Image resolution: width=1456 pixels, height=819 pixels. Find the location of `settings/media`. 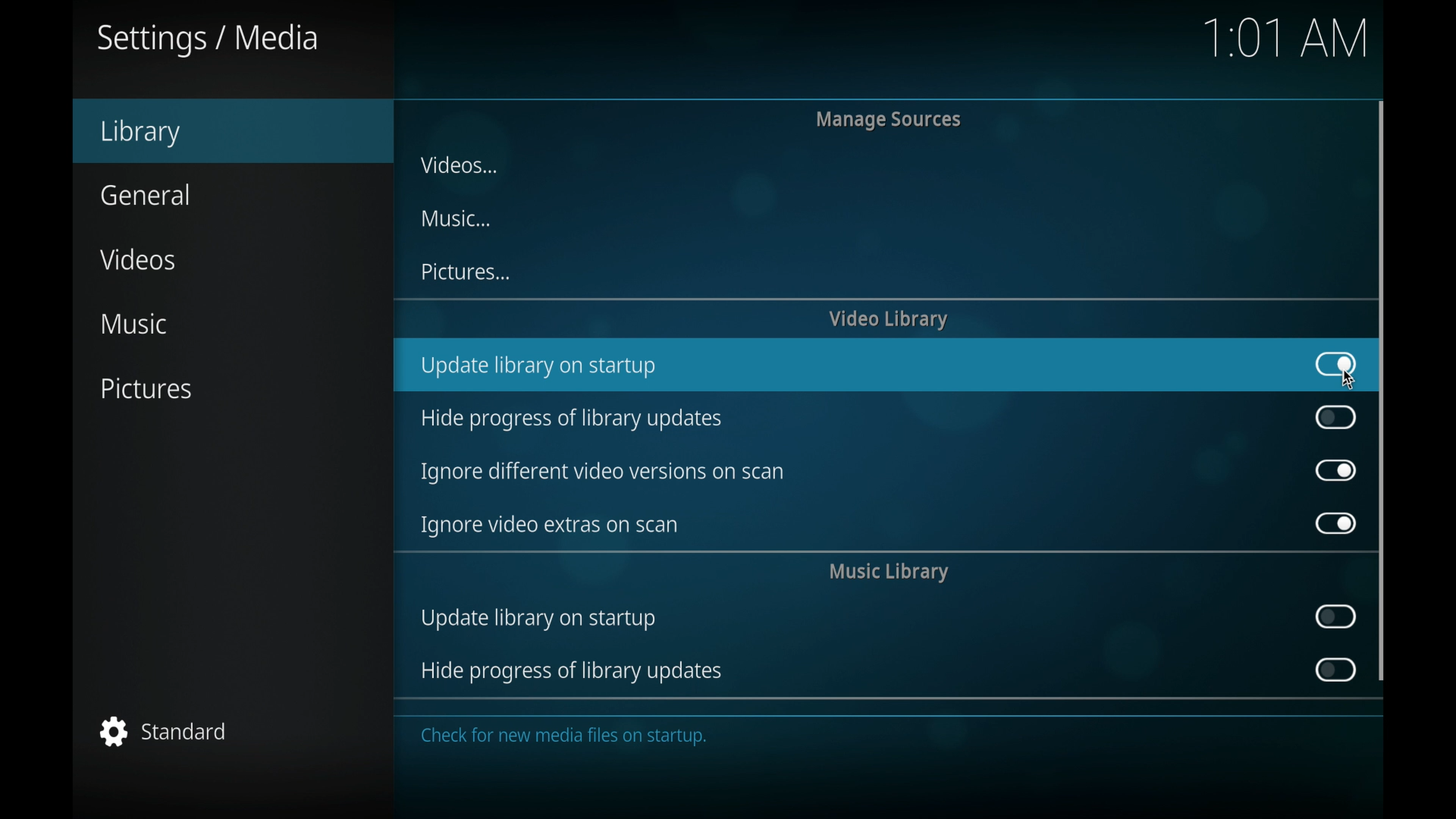

settings/media is located at coordinates (208, 39).